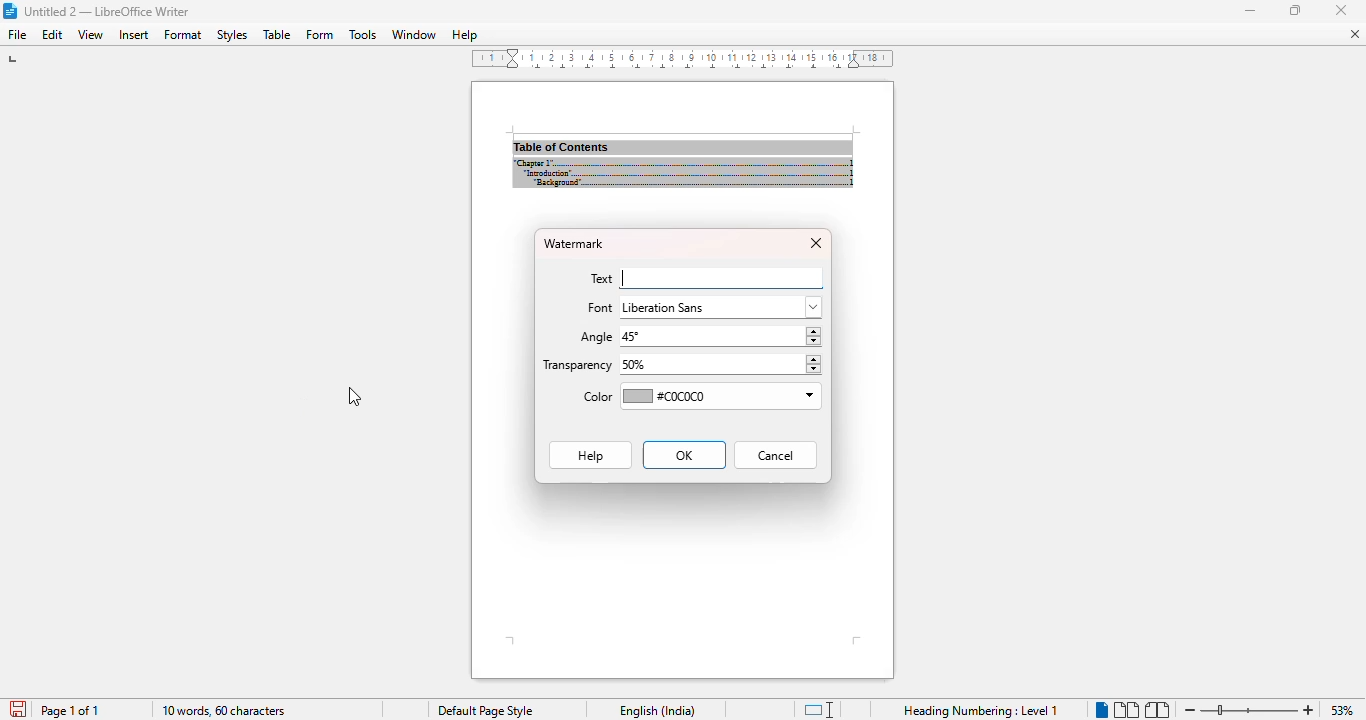  I want to click on Help, so click(589, 455).